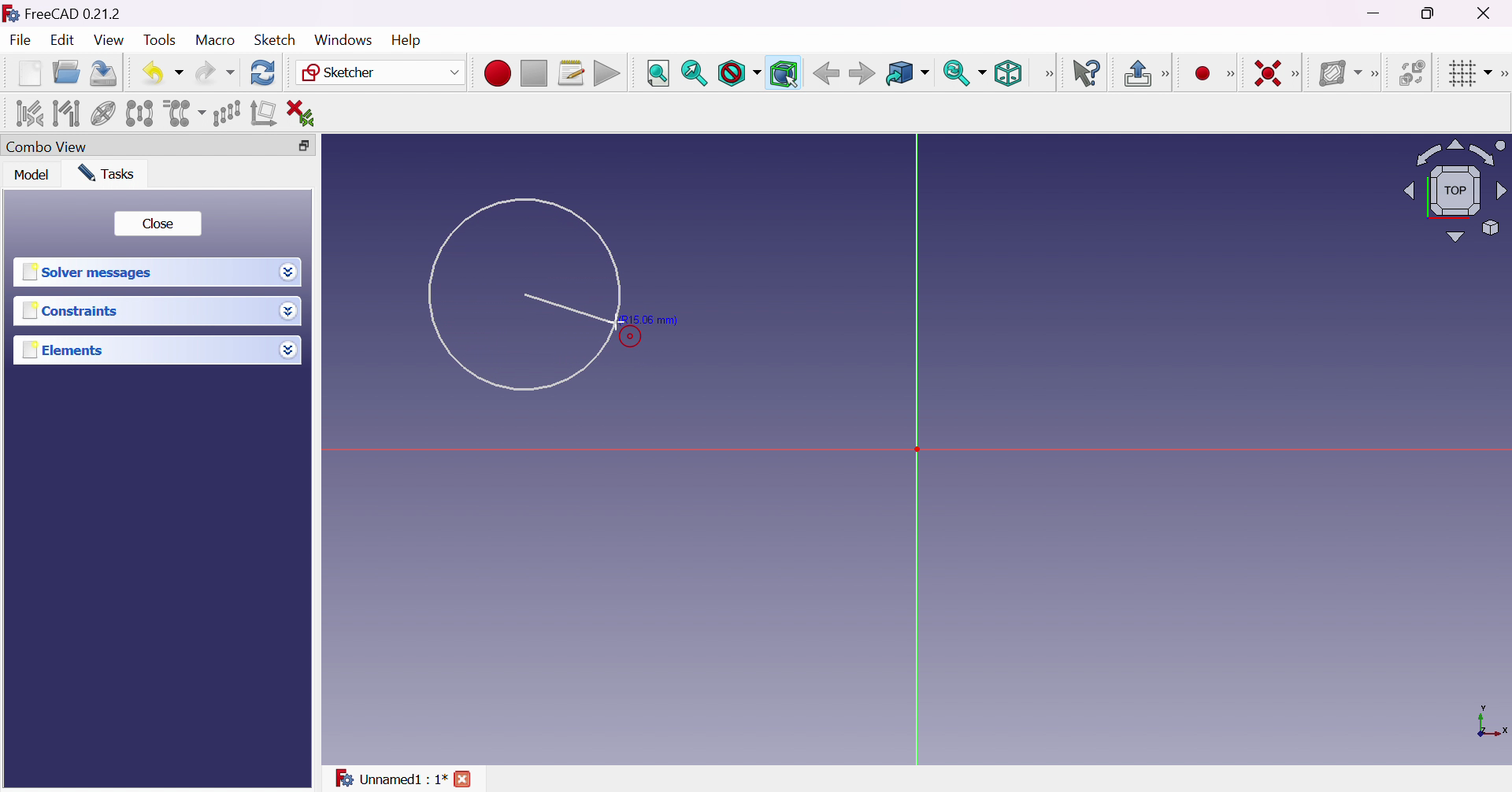  What do you see at coordinates (30, 72) in the screenshot?
I see `New` at bounding box center [30, 72].